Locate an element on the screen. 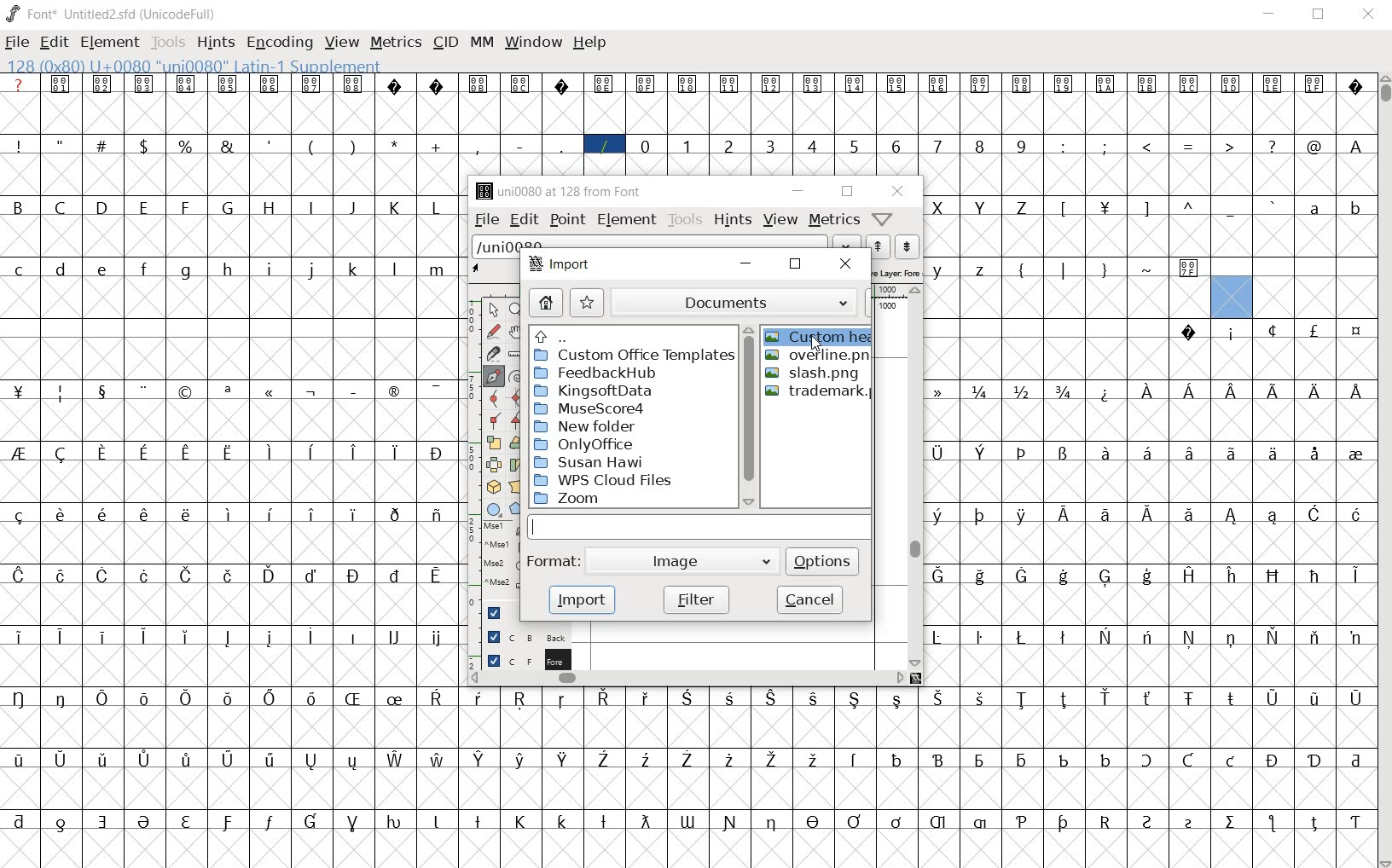  previous word is located at coordinates (879, 246).